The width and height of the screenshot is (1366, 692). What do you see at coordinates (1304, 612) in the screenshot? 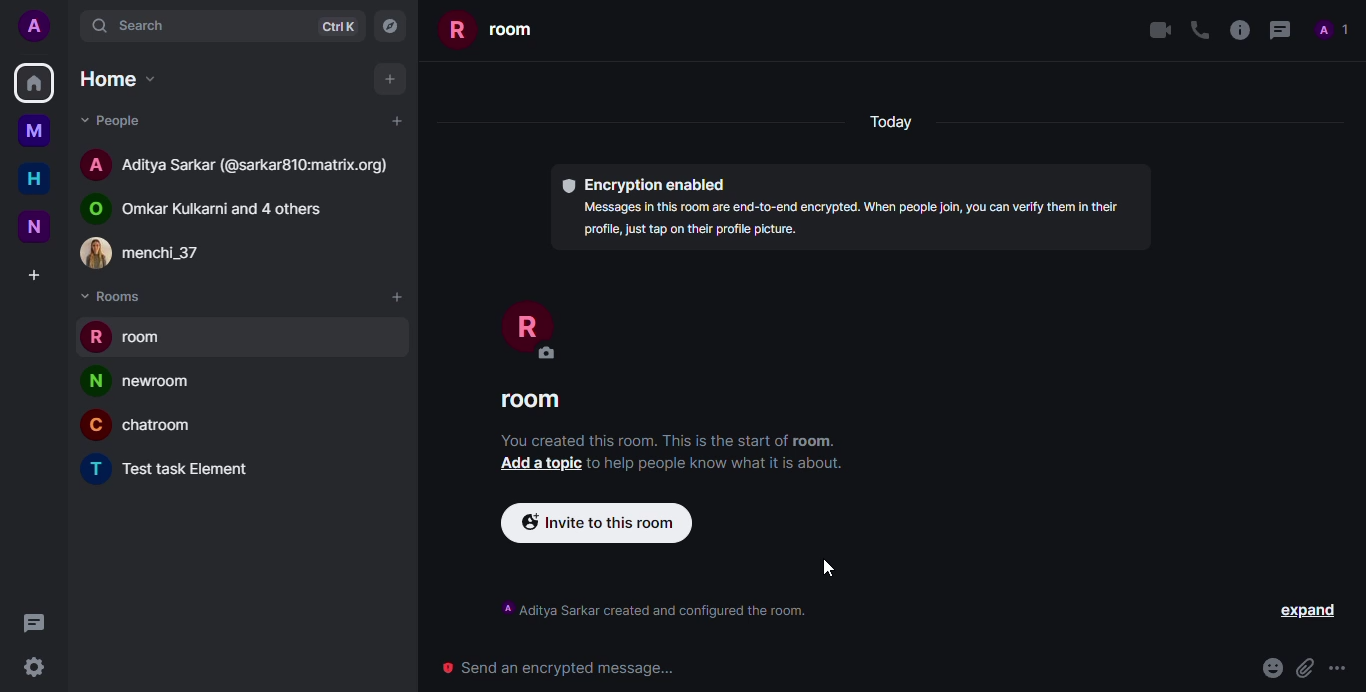
I see `expand` at bounding box center [1304, 612].